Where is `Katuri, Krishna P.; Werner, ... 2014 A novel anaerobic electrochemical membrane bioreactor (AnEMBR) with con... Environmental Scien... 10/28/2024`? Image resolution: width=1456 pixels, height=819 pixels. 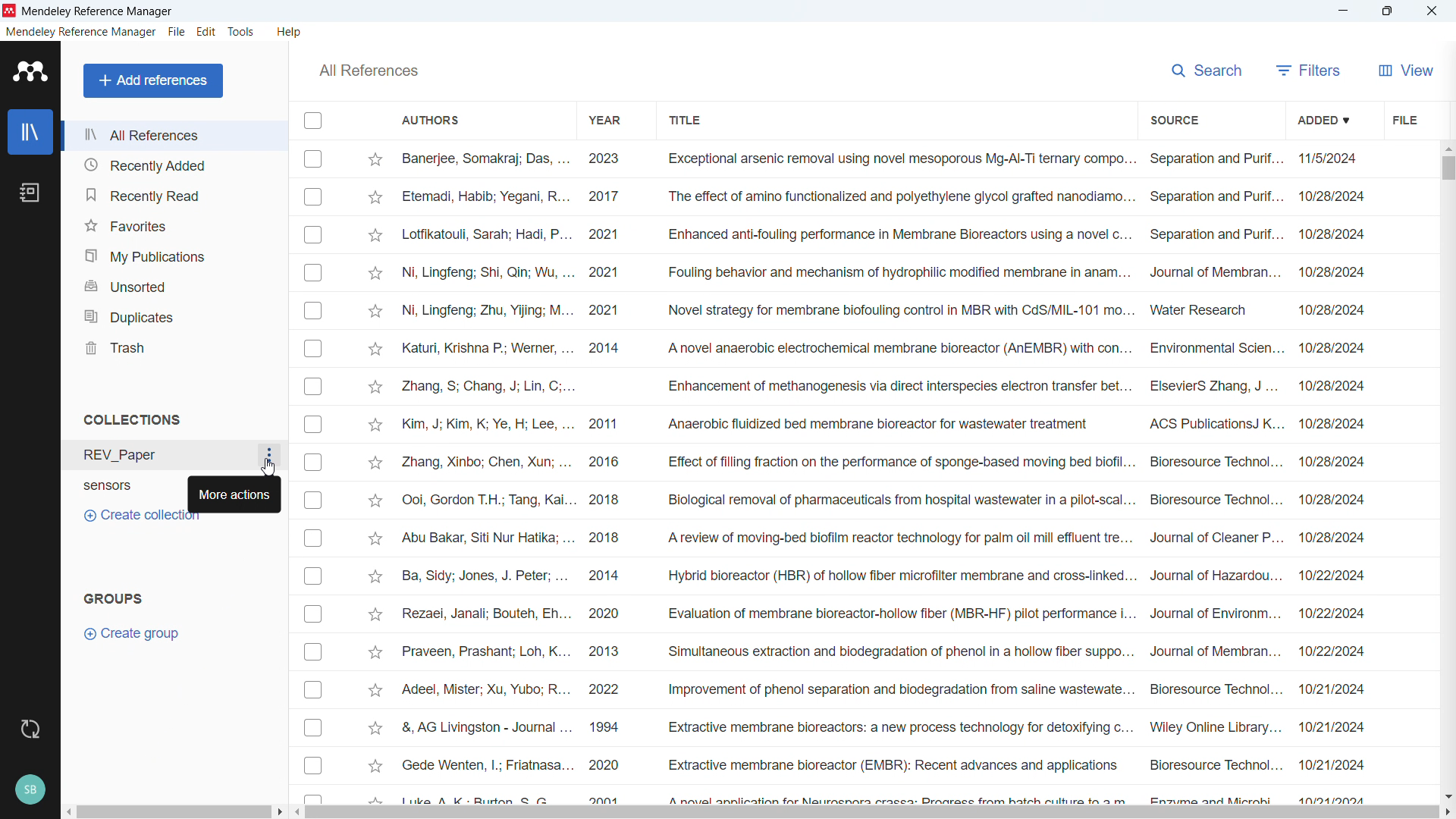 Katuri, Krishna P.; Werner, ... 2014 A novel anaerobic electrochemical membrane bioreactor (AnEMBR) with con... Environmental Scien... 10/28/2024 is located at coordinates (883, 349).